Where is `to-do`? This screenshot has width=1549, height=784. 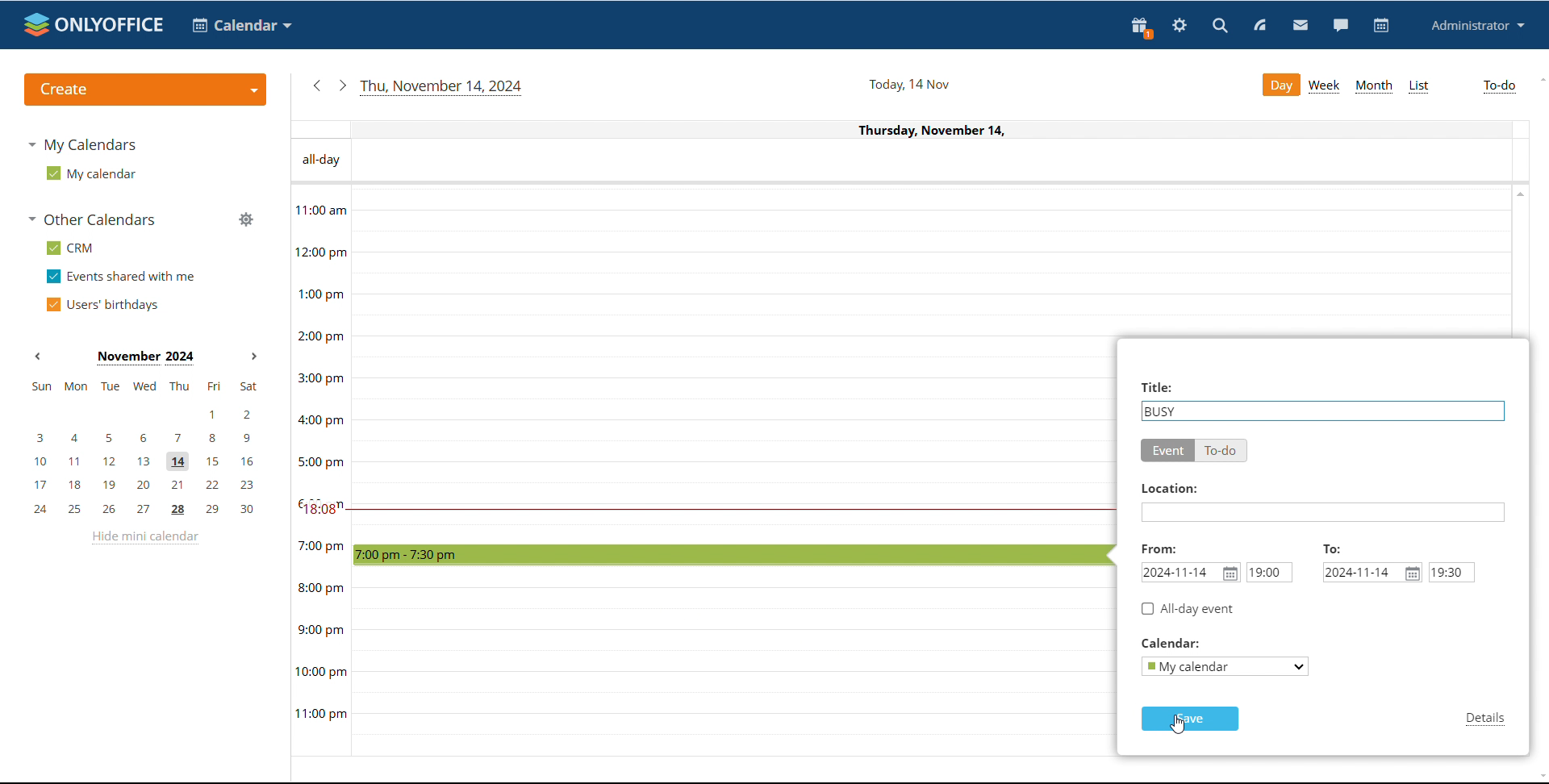
to-do is located at coordinates (1223, 450).